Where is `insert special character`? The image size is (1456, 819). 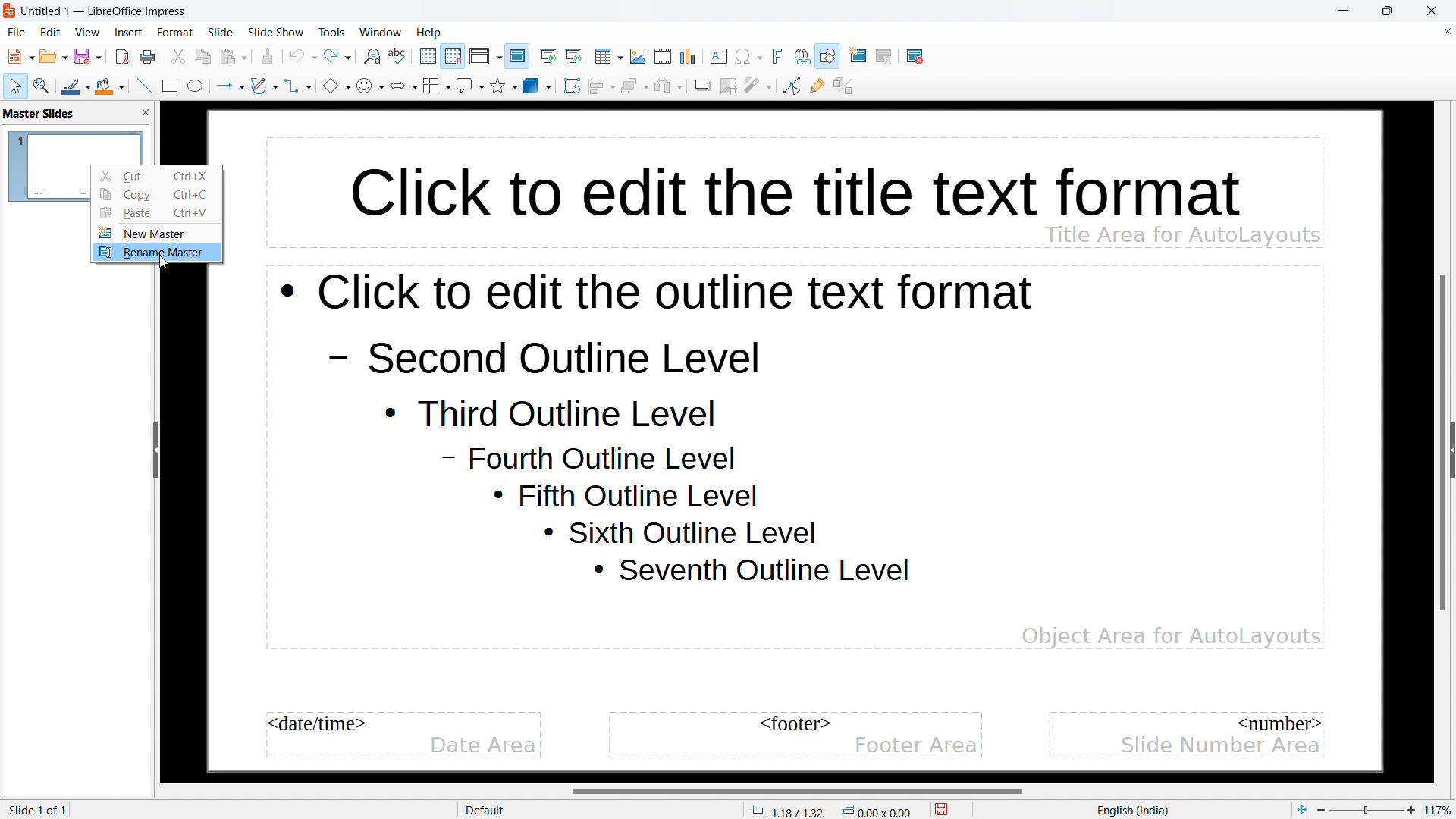
insert special character is located at coordinates (748, 56).